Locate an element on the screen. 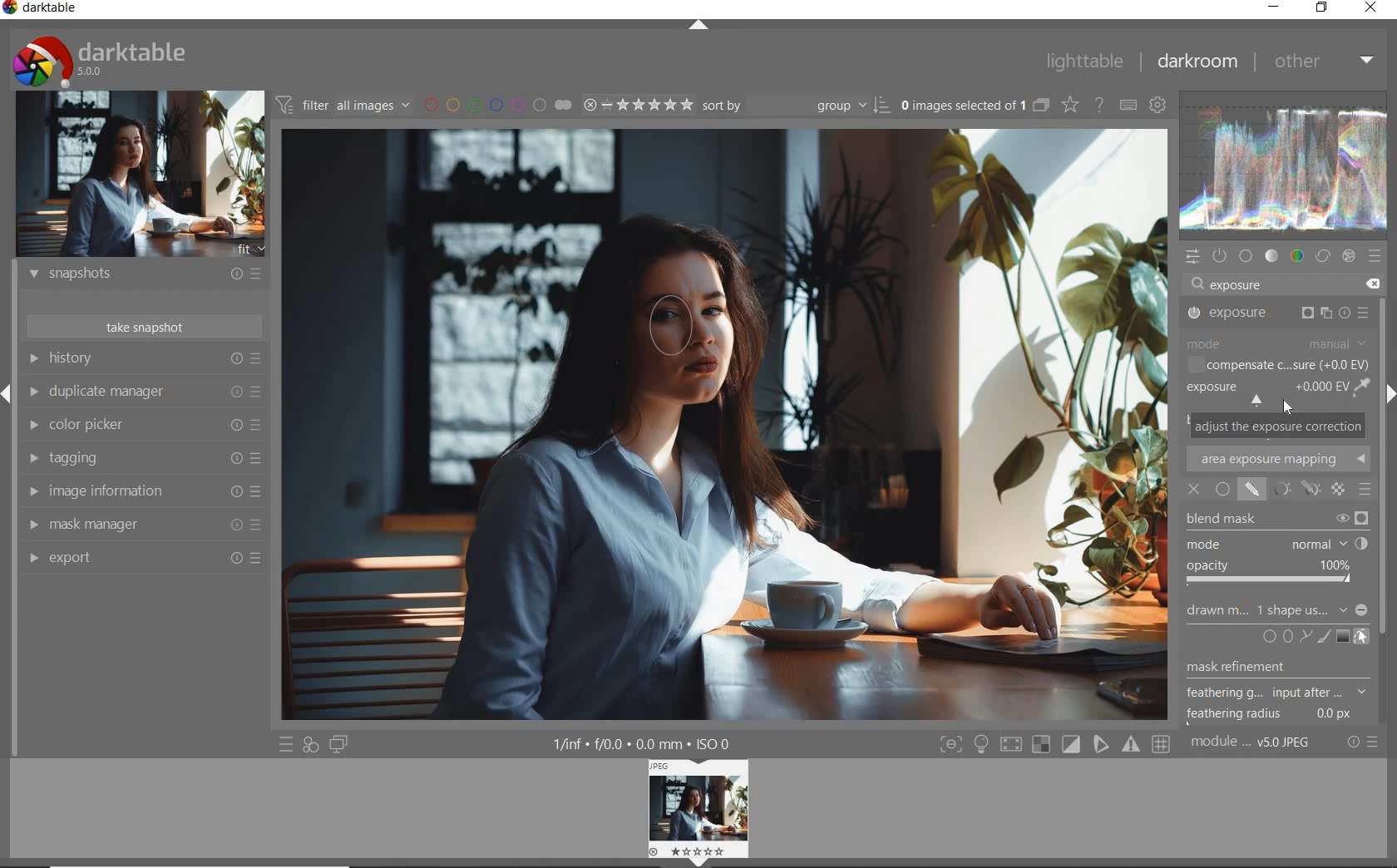  MODE is located at coordinates (1278, 344).